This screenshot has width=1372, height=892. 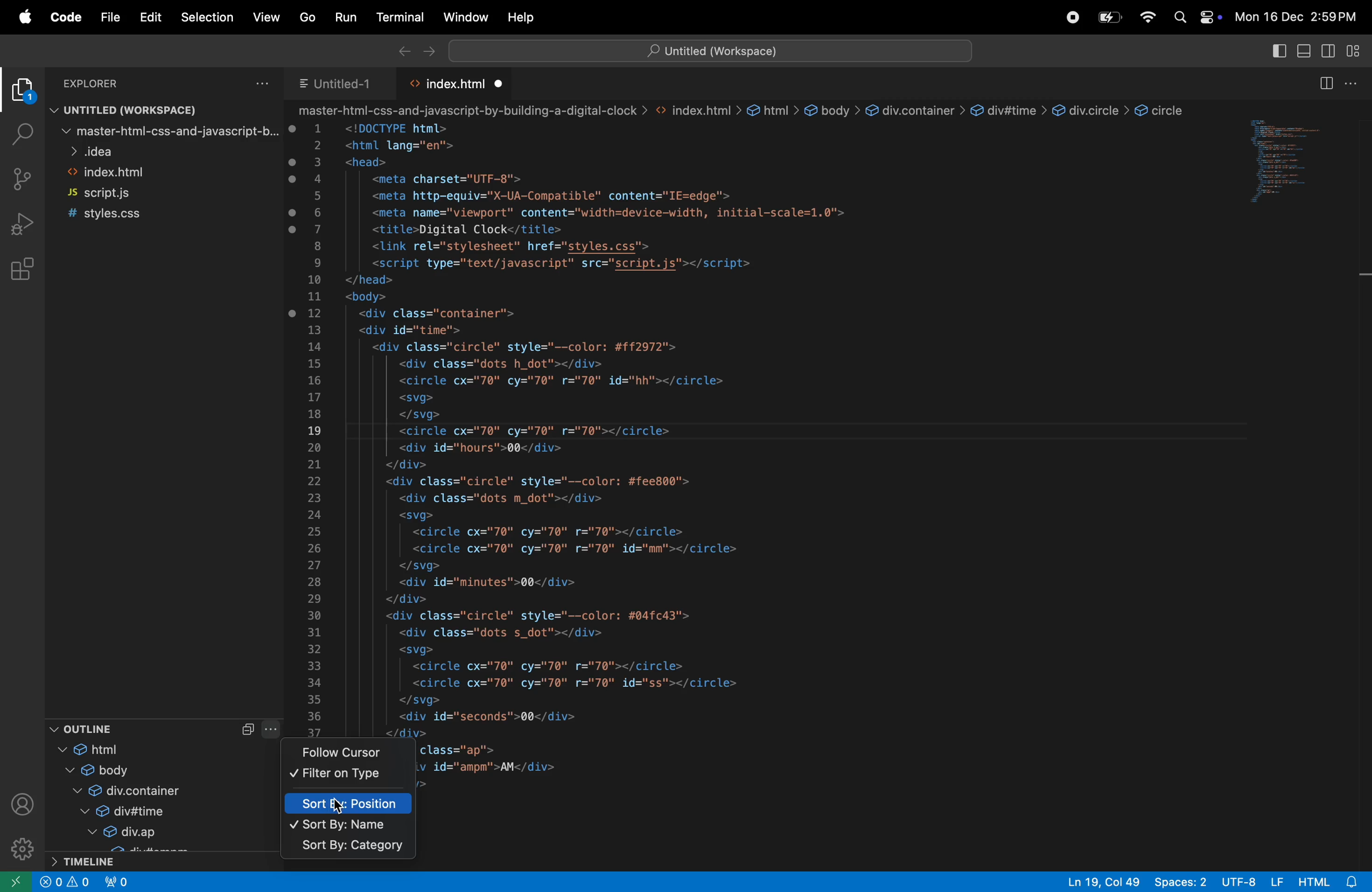 What do you see at coordinates (118, 881) in the screenshot?
I see `no ports forwarded` at bounding box center [118, 881].